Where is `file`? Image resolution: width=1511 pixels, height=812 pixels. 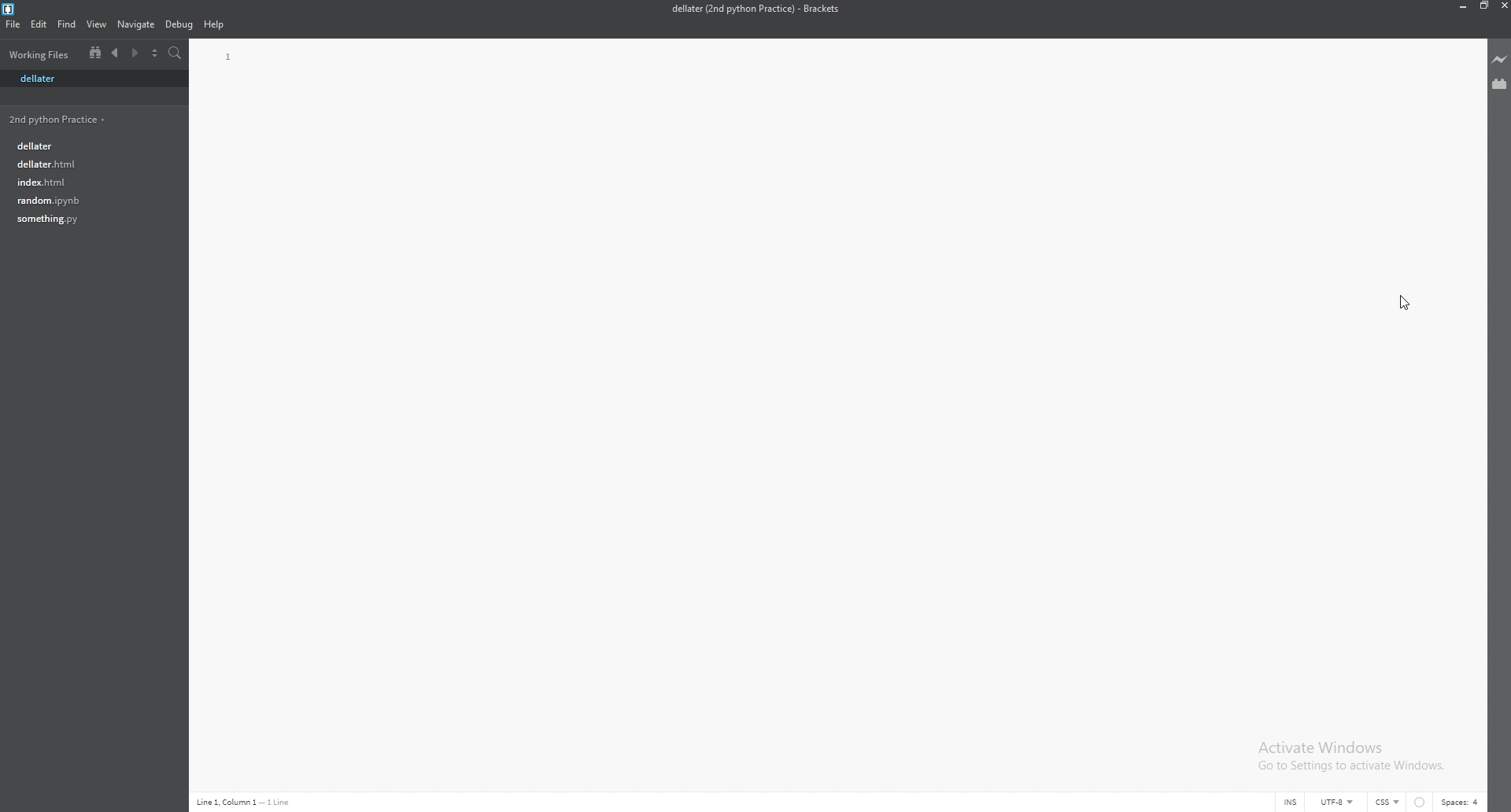 file is located at coordinates (87, 164).